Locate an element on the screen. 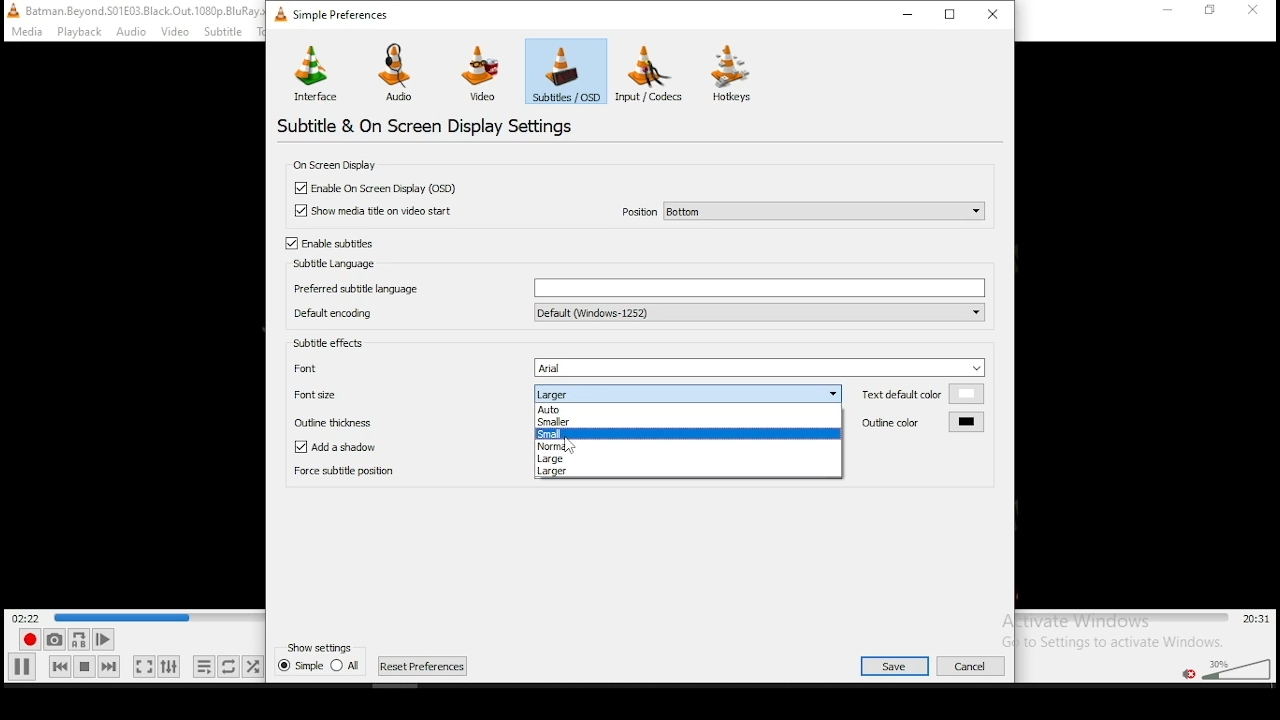 The image size is (1280, 720). outline color is located at coordinates (921, 422).